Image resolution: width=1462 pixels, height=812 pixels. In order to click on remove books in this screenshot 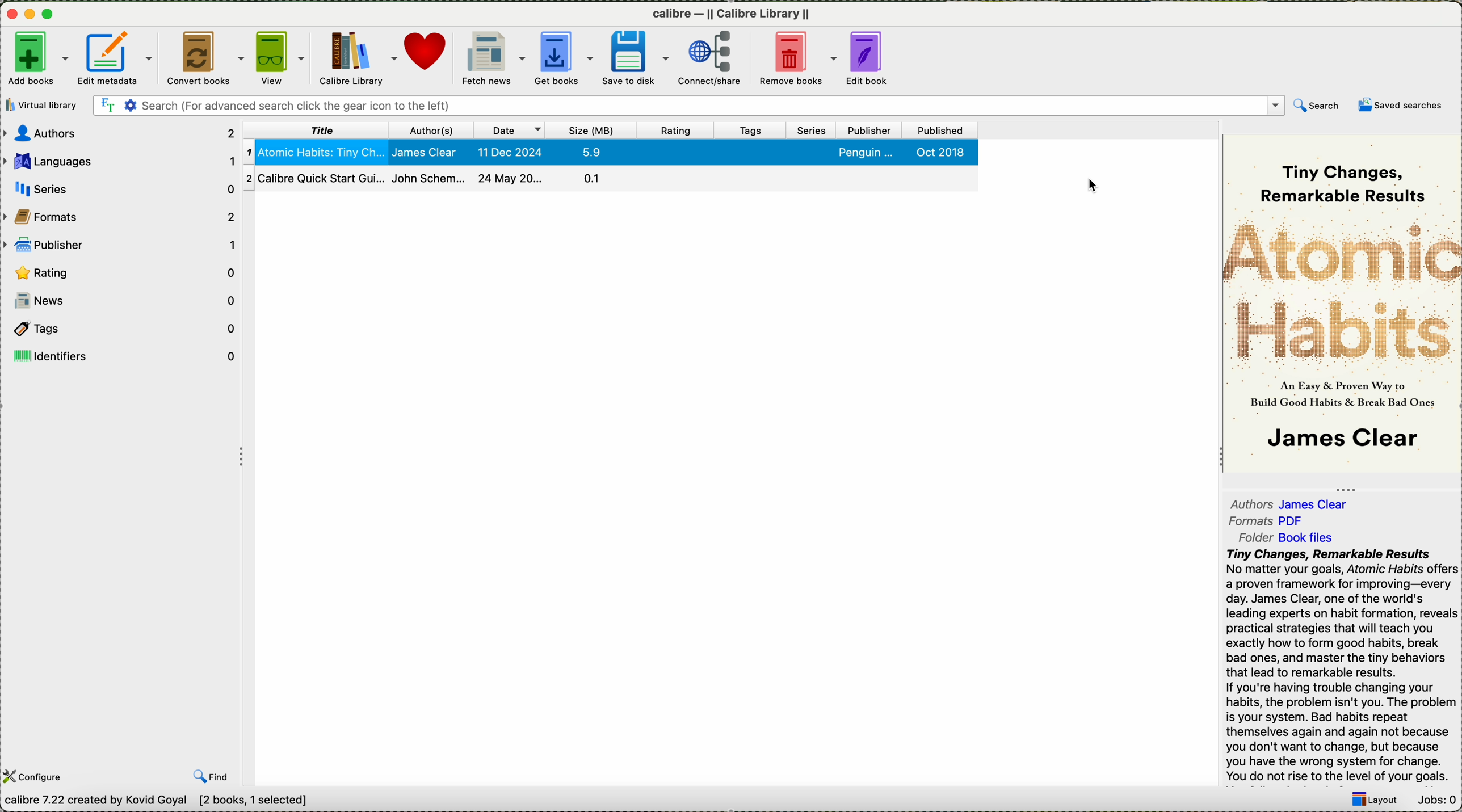, I will do `click(797, 59)`.